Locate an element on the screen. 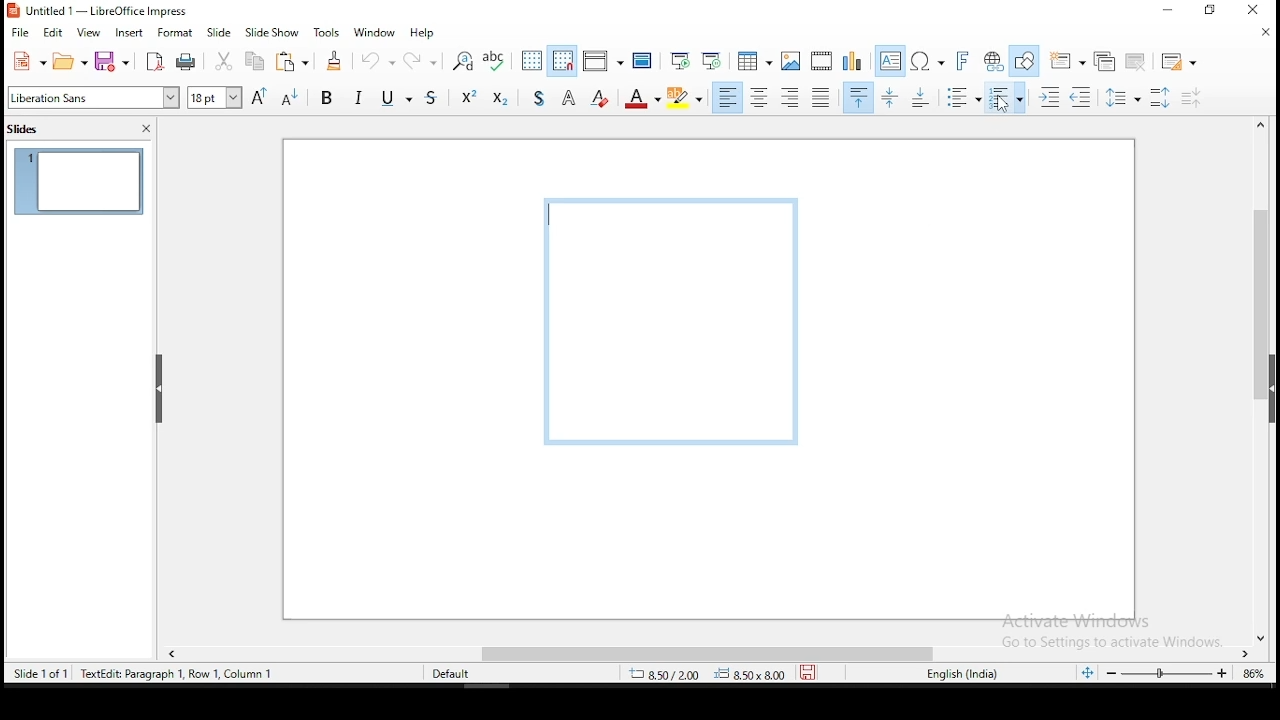 This screenshot has height=720, width=1280. file is located at coordinates (20, 31).